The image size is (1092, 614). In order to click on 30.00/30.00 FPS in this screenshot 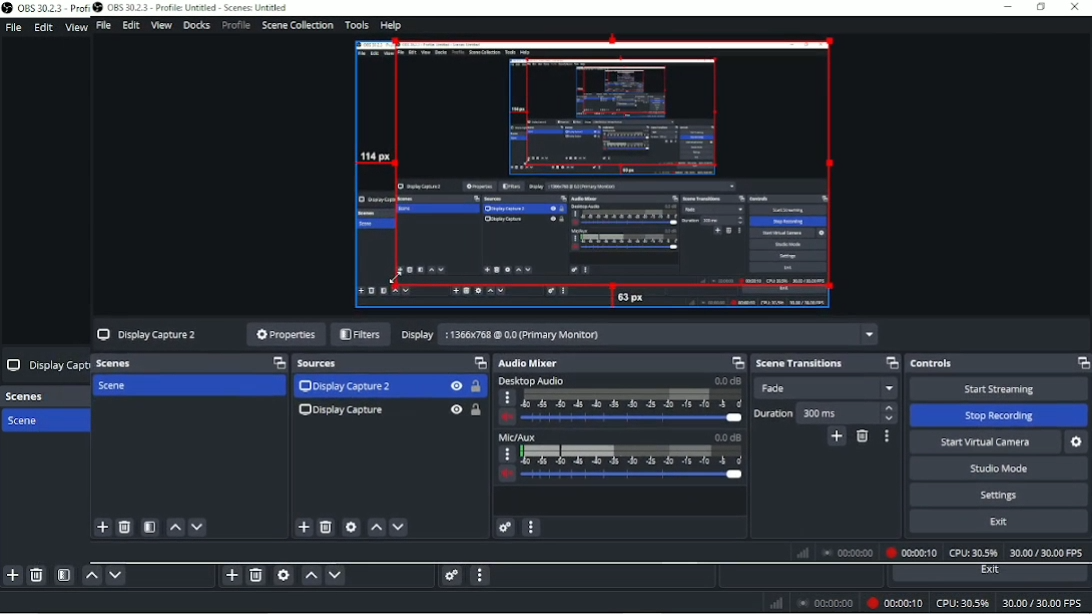, I will do `click(1046, 604)`.